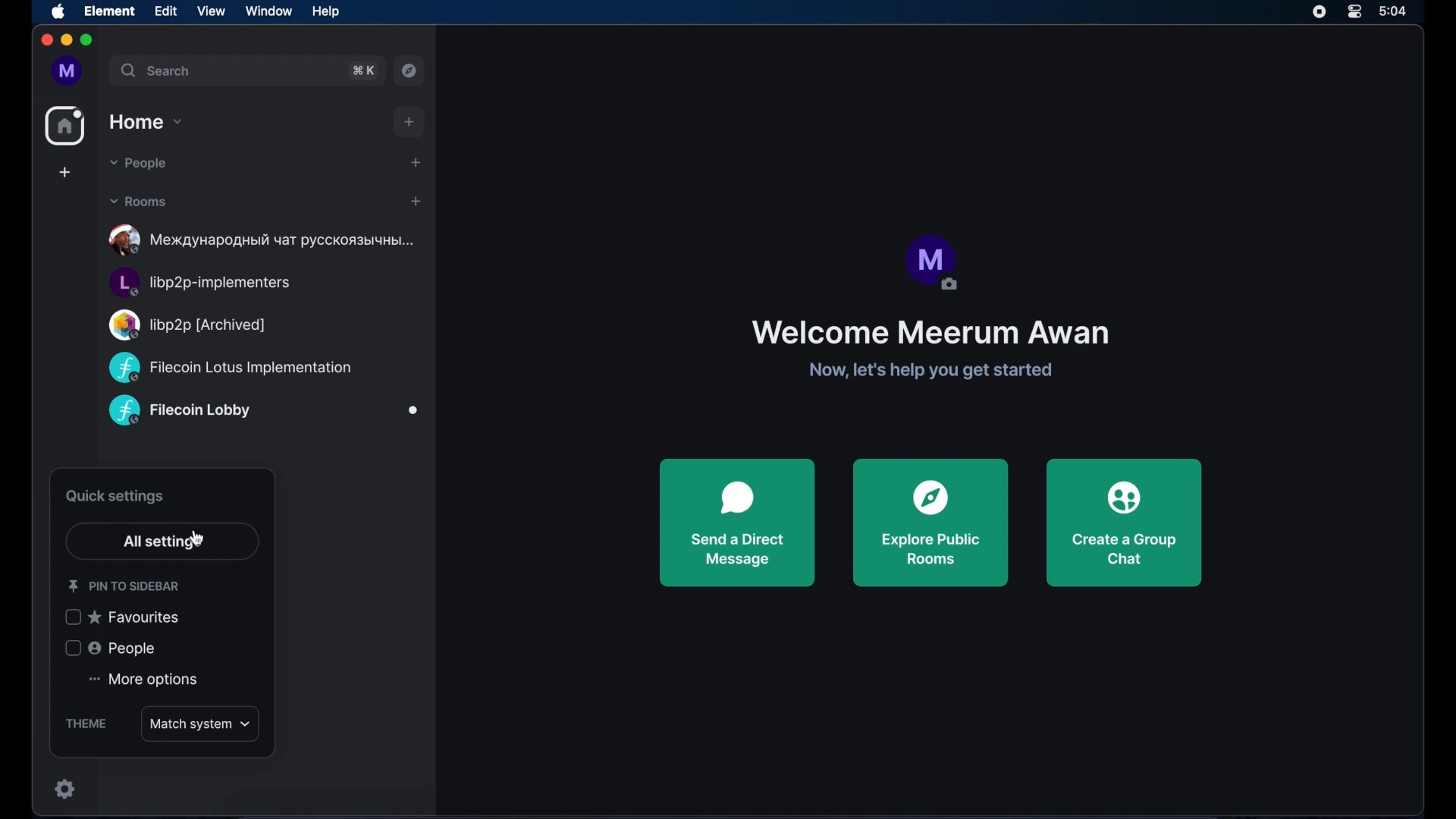  What do you see at coordinates (416, 162) in the screenshot?
I see `start chat` at bounding box center [416, 162].